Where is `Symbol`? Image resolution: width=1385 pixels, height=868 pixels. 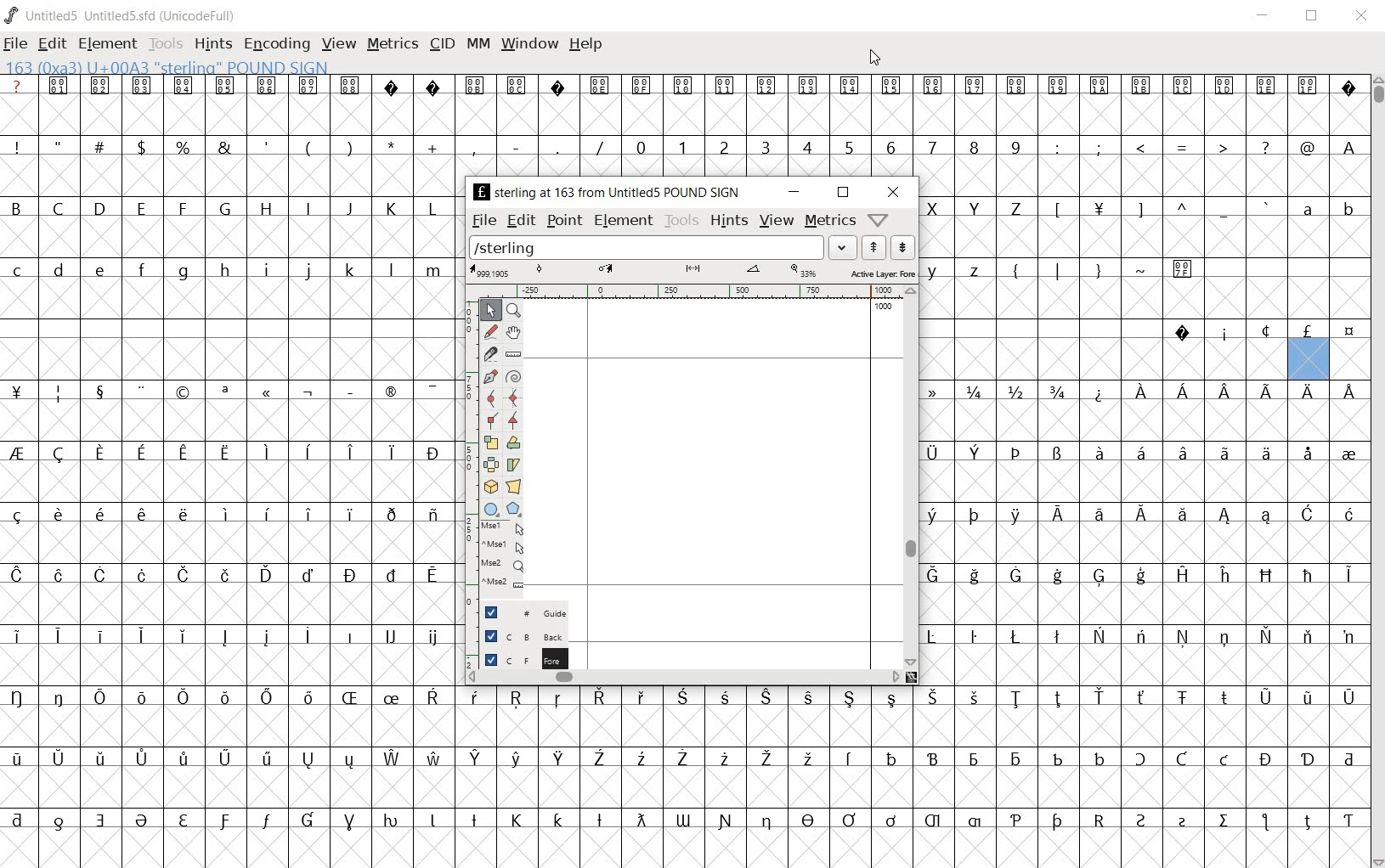
Symbol is located at coordinates (1016, 636).